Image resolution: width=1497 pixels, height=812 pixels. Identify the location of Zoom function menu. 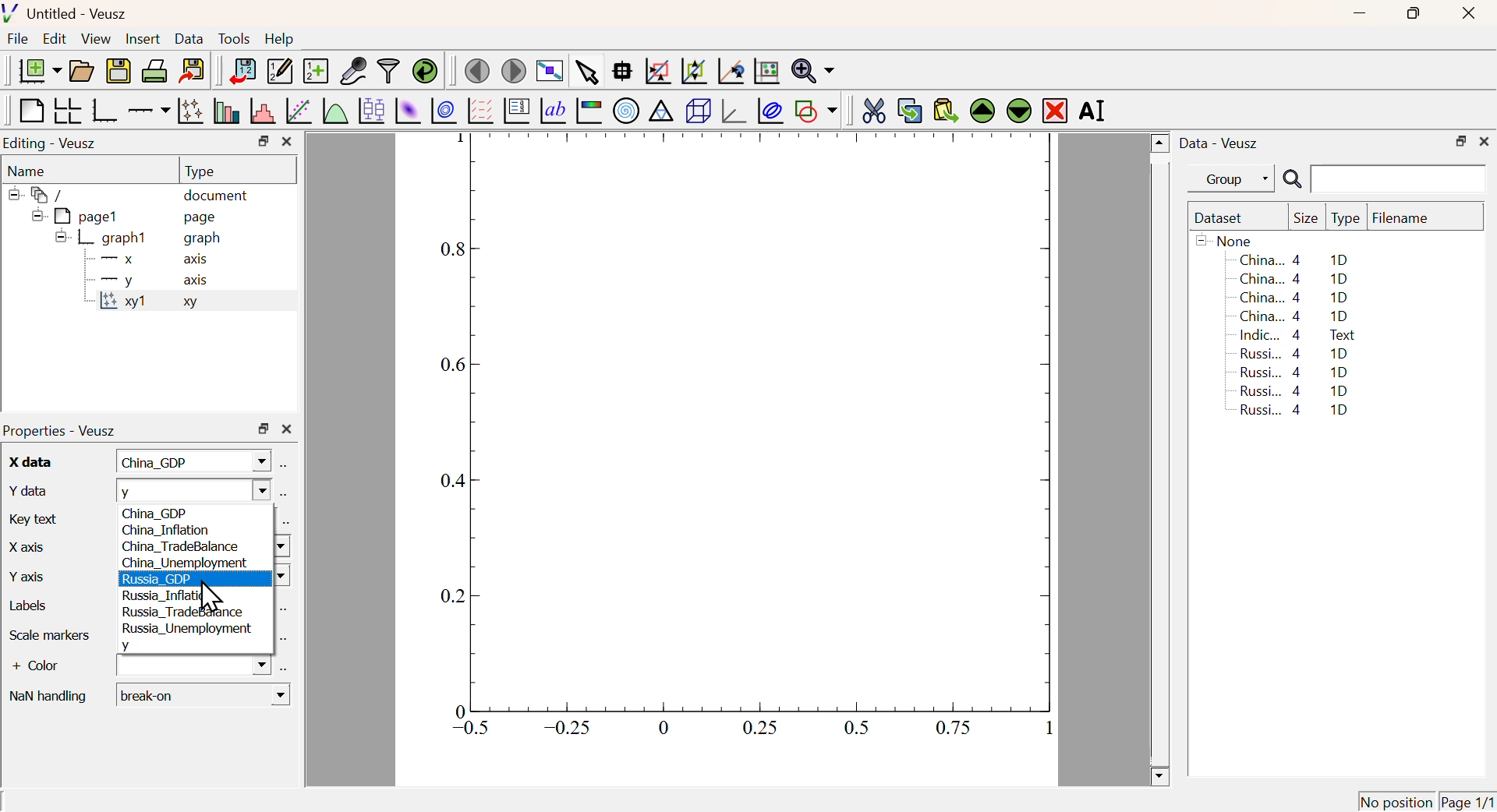
(813, 69).